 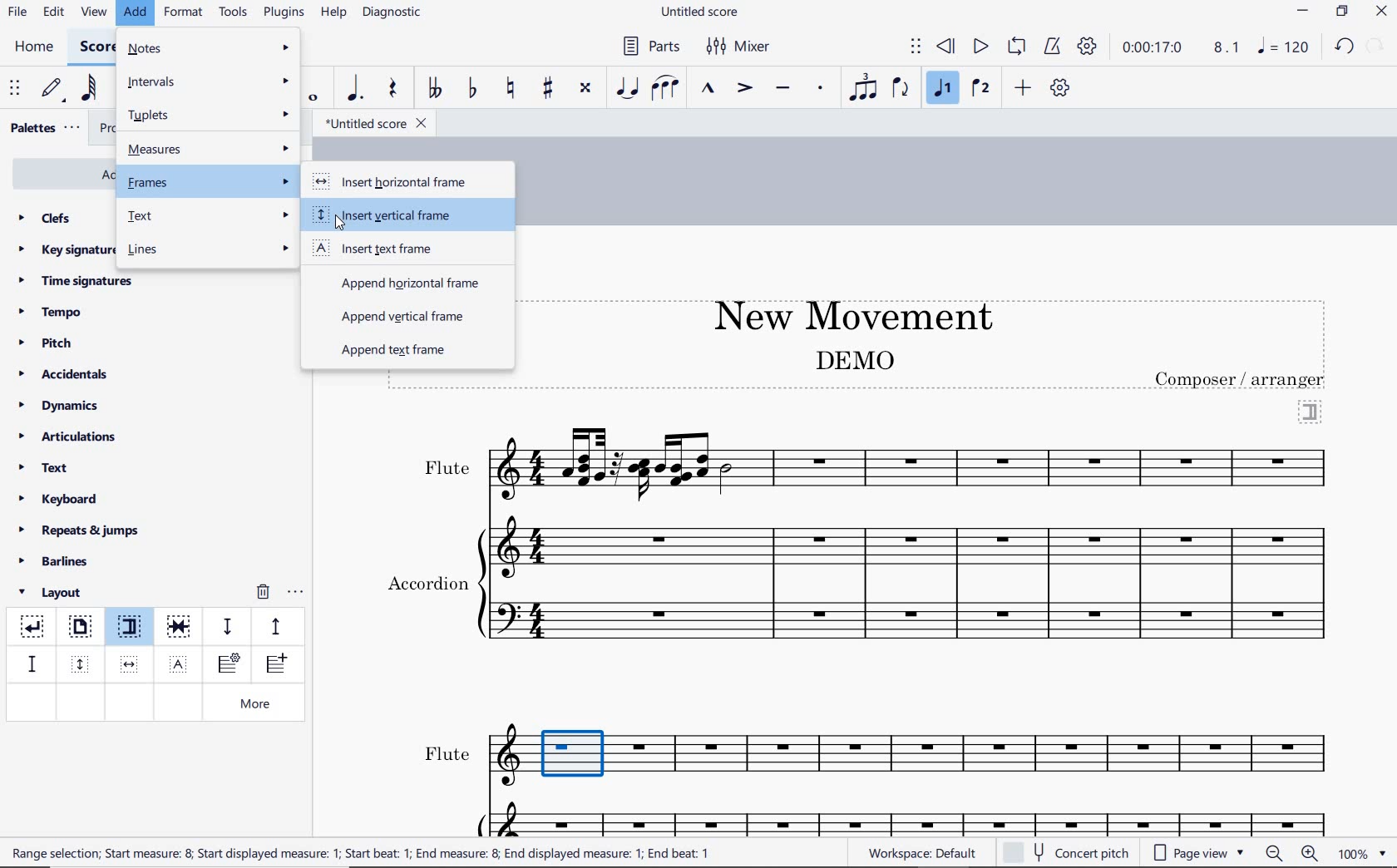 I want to click on tenuto, so click(x=782, y=89).